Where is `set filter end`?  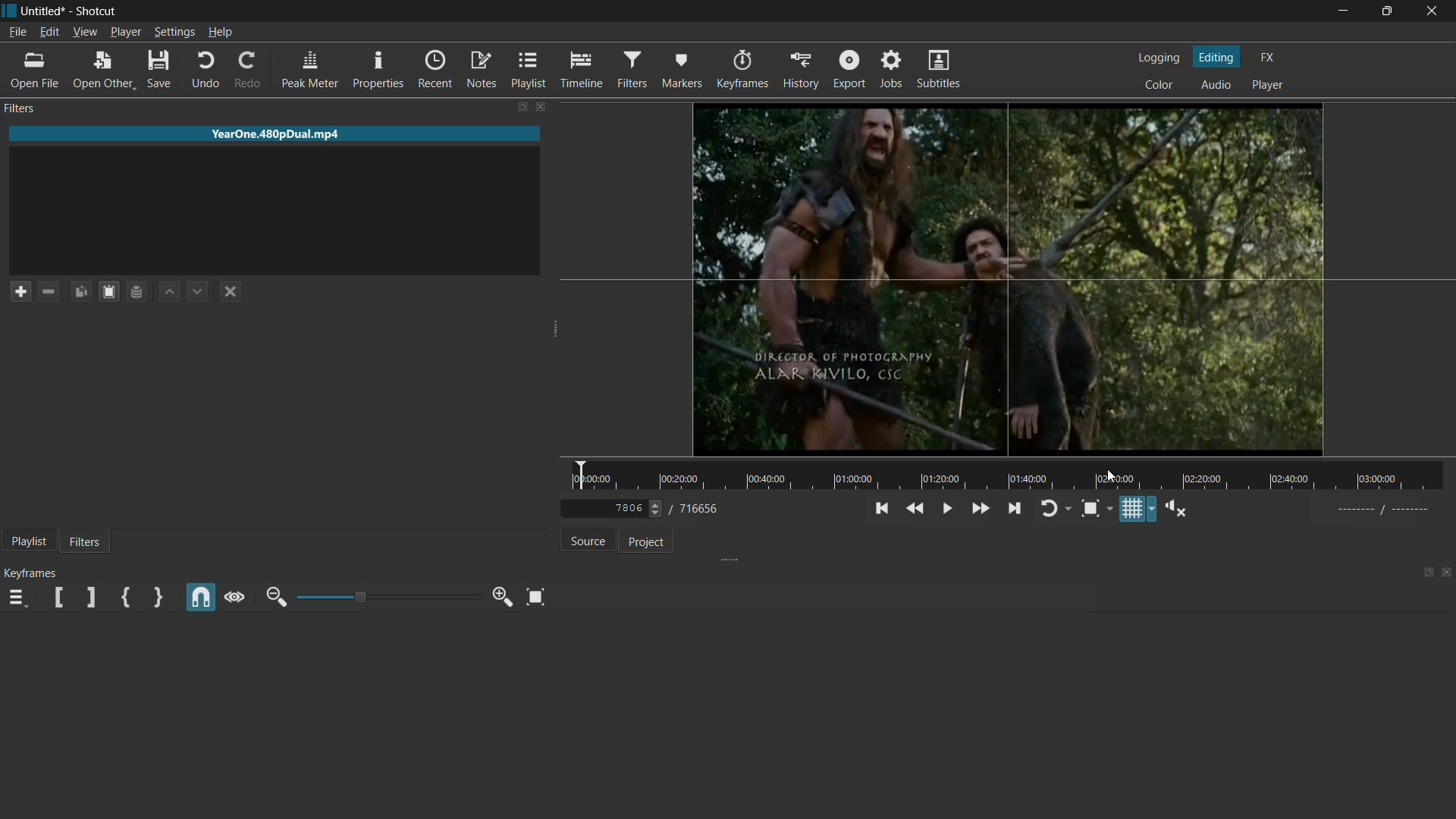
set filter end is located at coordinates (89, 598).